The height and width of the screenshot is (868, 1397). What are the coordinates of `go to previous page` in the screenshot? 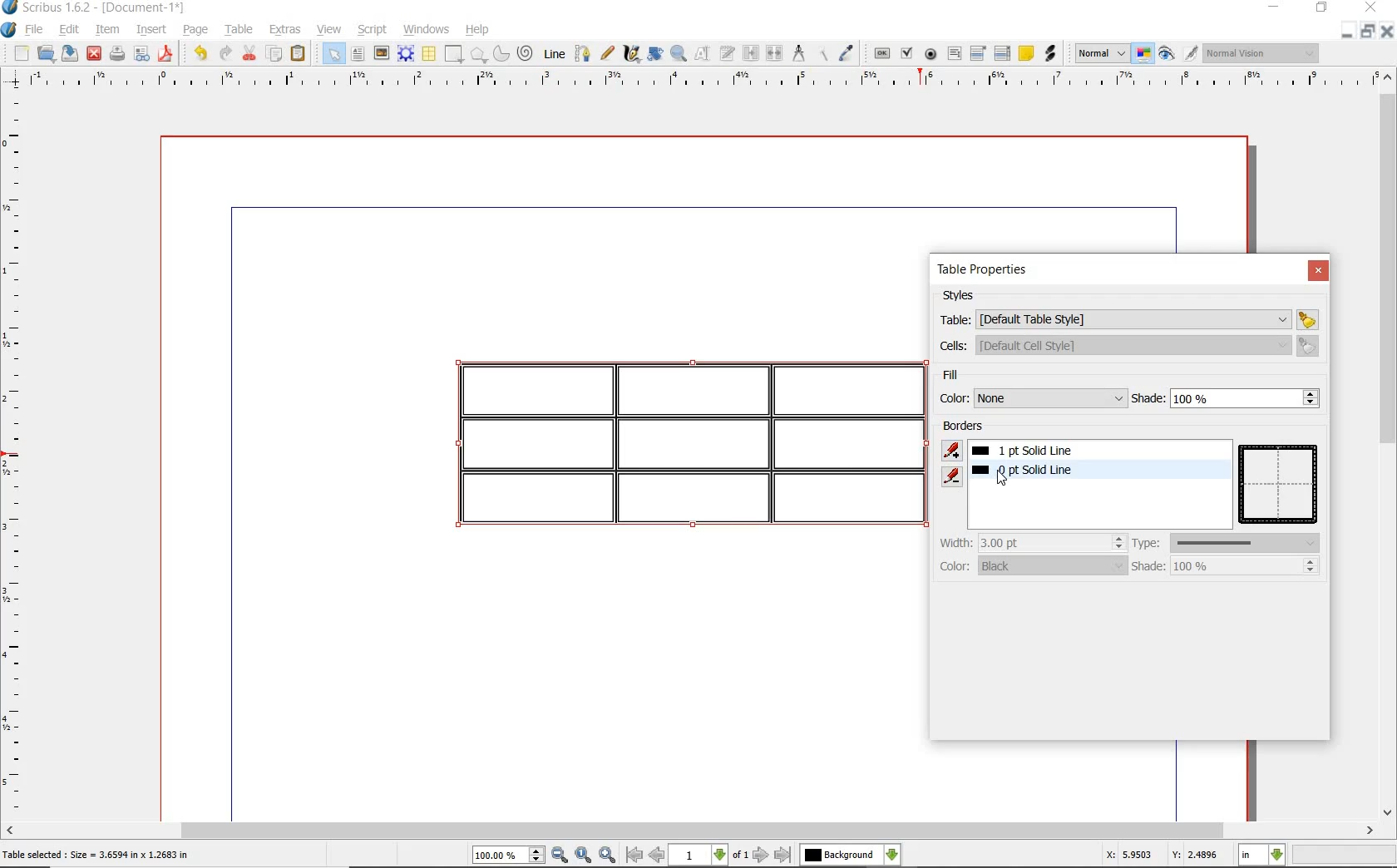 It's located at (657, 856).